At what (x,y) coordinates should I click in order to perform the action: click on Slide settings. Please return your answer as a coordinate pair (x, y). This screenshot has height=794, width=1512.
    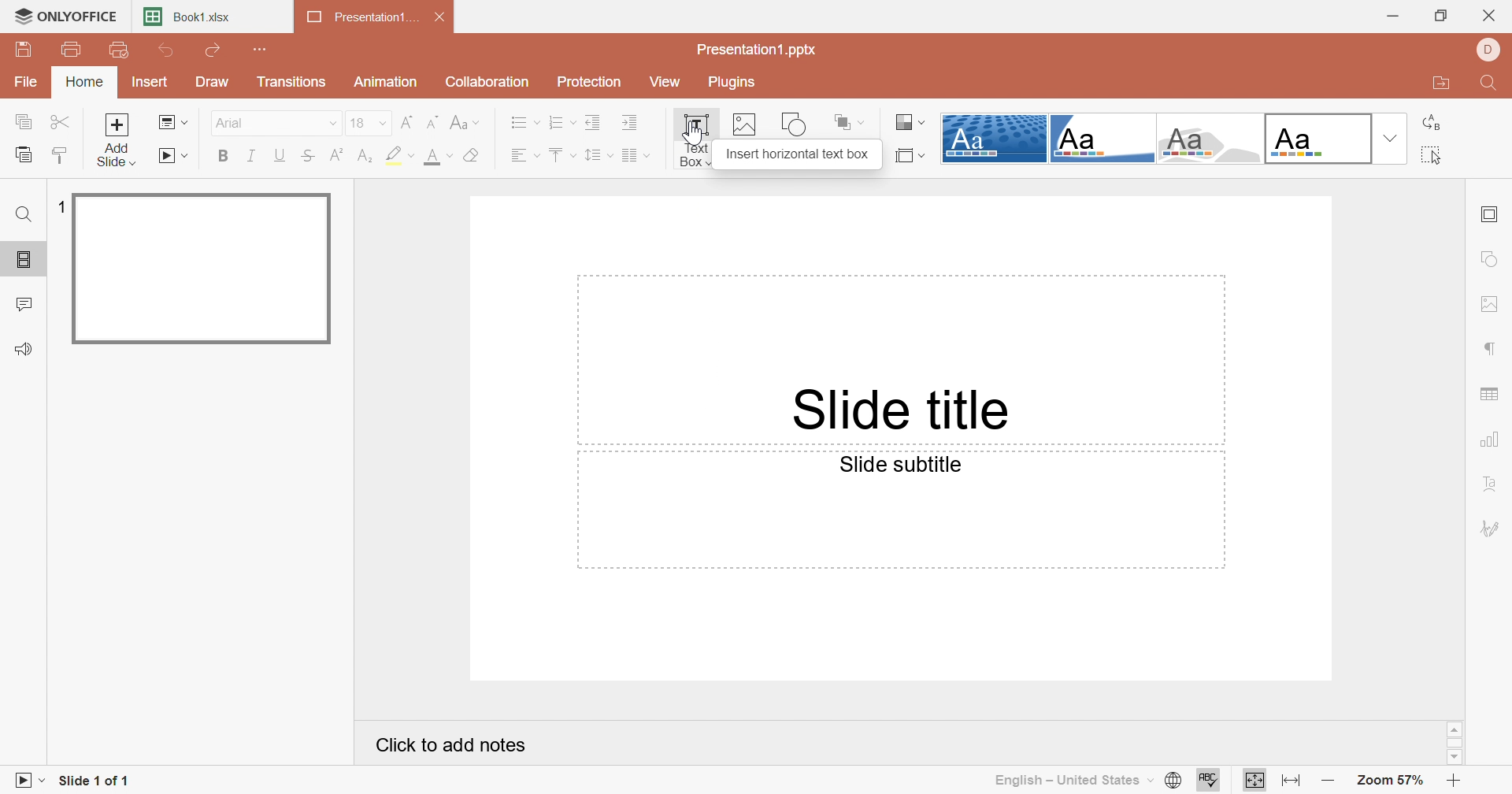
    Looking at the image, I should click on (1492, 213).